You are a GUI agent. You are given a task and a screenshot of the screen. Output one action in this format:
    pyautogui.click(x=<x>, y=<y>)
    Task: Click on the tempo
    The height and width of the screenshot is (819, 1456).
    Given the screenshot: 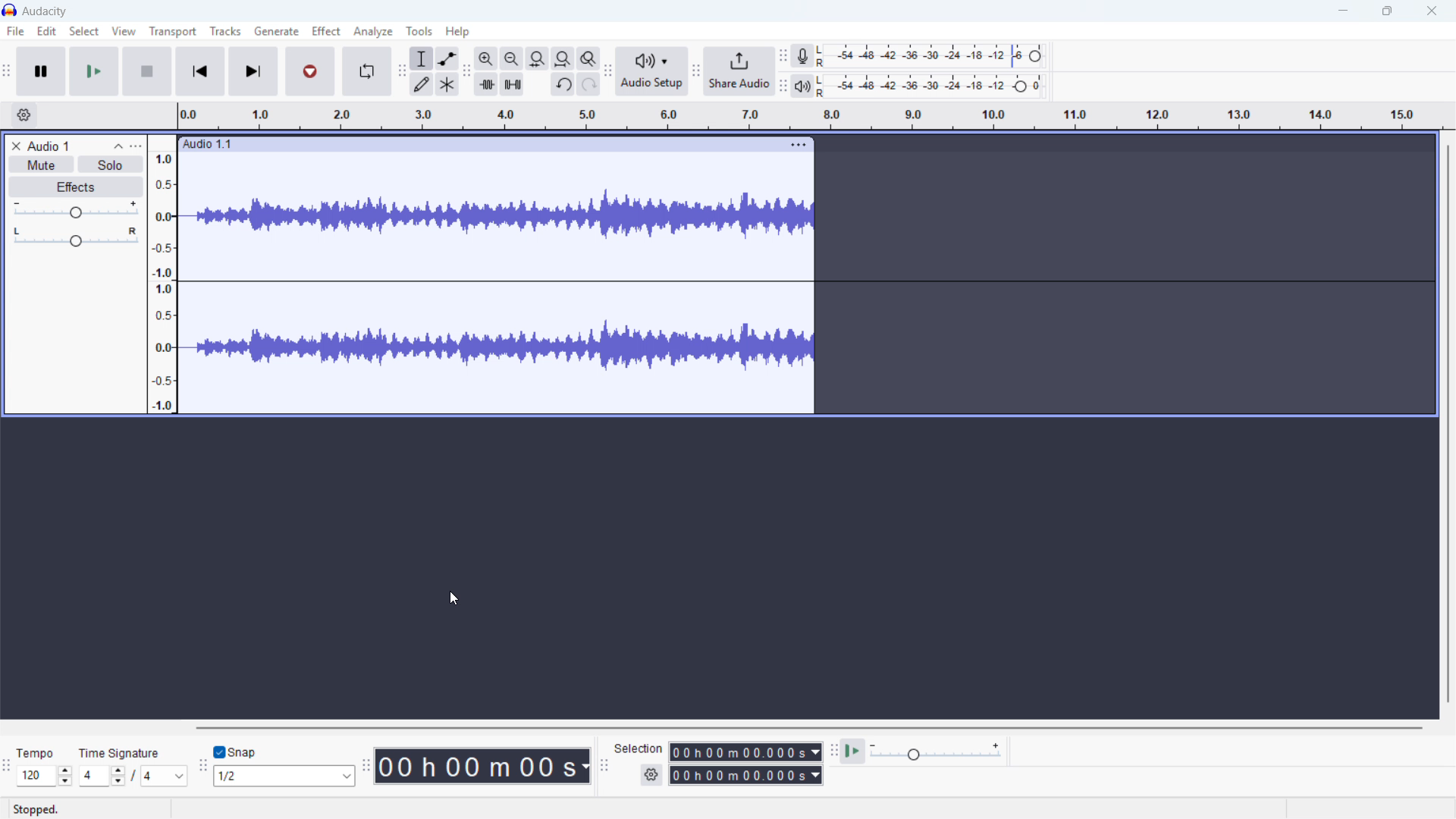 What is the action you would take?
    pyautogui.click(x=39, y=753)
    